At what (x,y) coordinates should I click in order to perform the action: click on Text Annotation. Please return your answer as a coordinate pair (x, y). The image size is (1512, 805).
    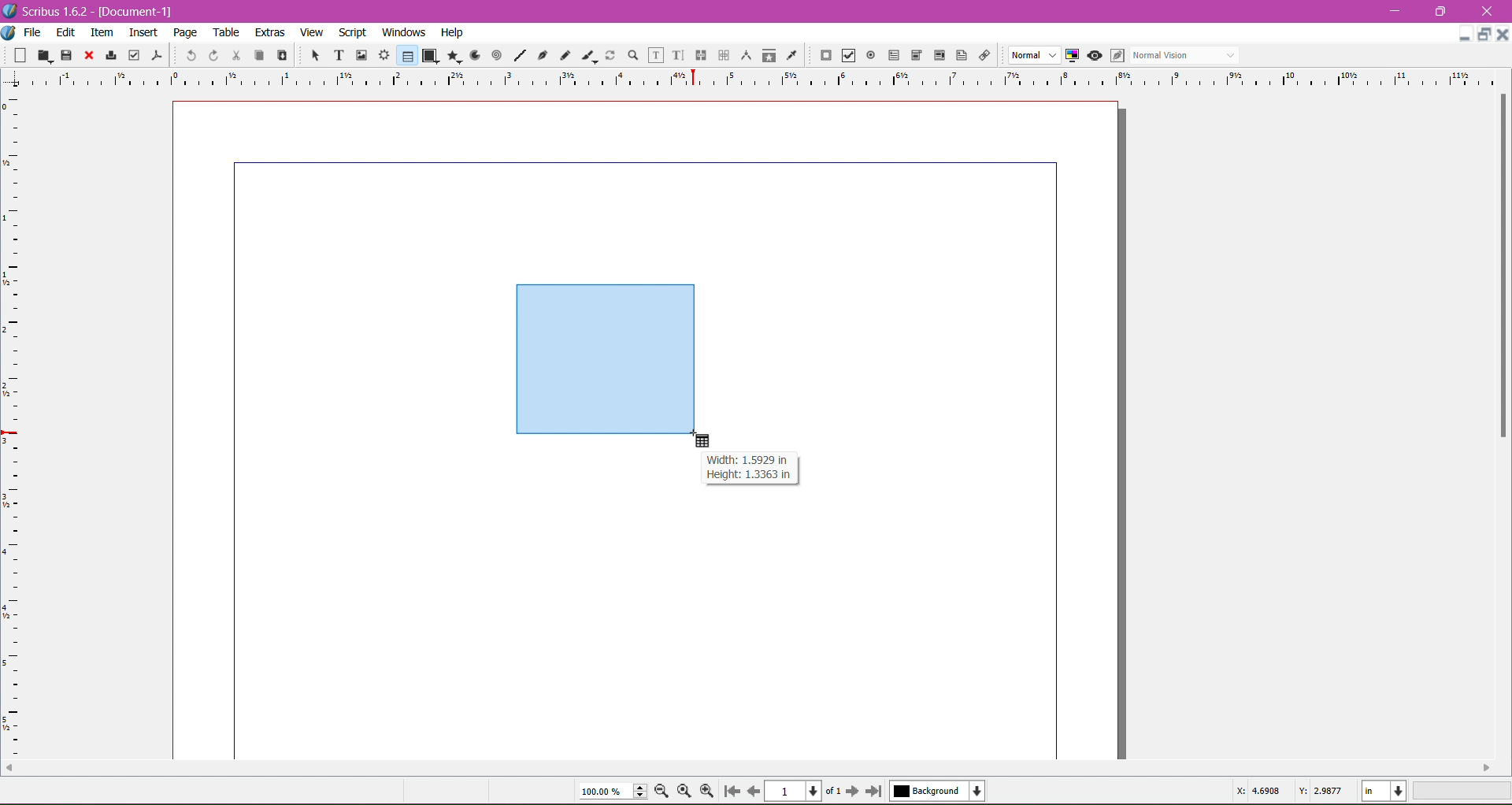
    Looking at the image, I should click on (959, 53).